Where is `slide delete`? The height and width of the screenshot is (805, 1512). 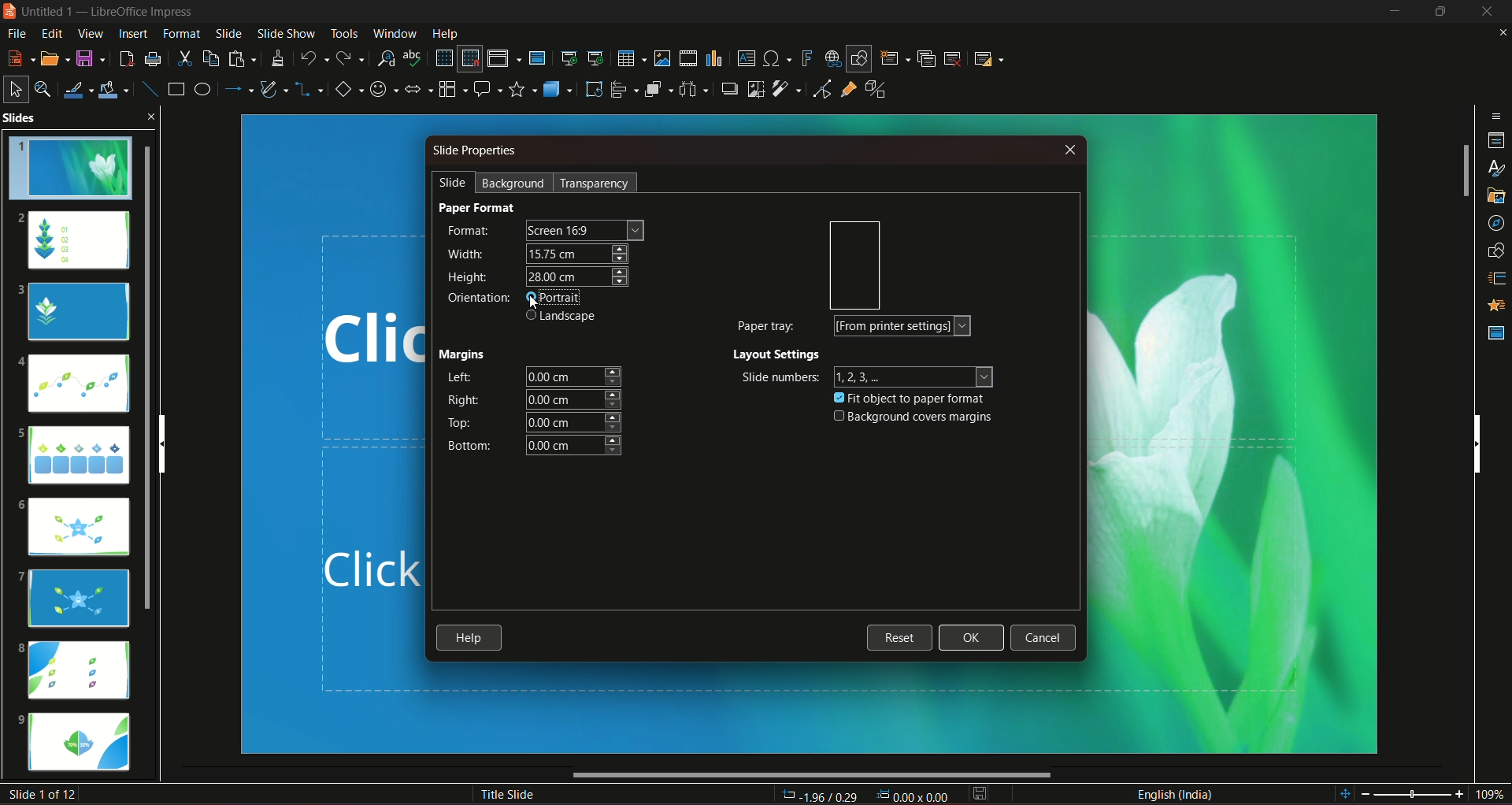
slide delete is located at coordinates (954, 57).